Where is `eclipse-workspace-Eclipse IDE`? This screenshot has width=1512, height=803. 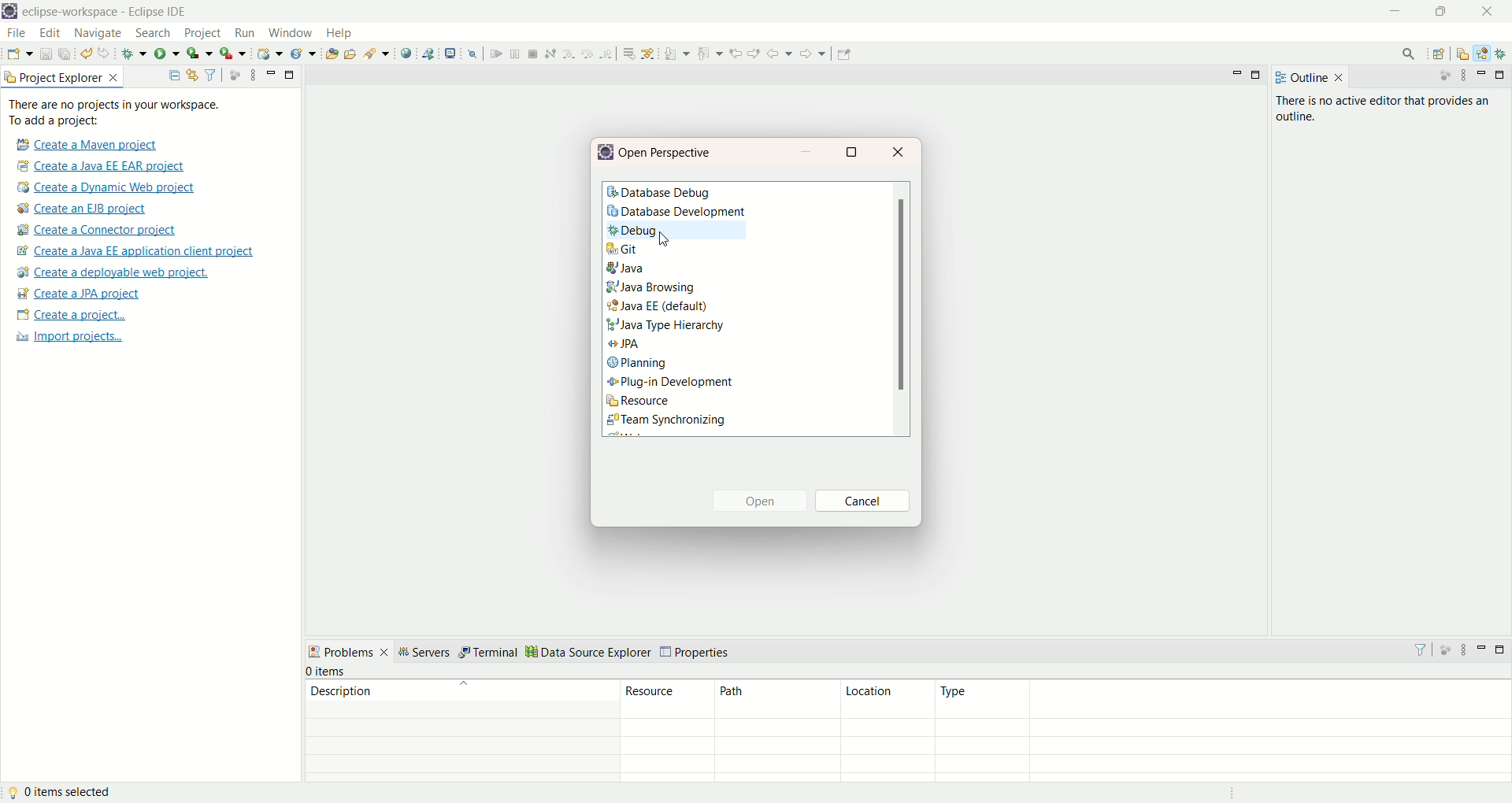
eclipse-workspace-Eclipse IDE is located at coordinates (107, 13).